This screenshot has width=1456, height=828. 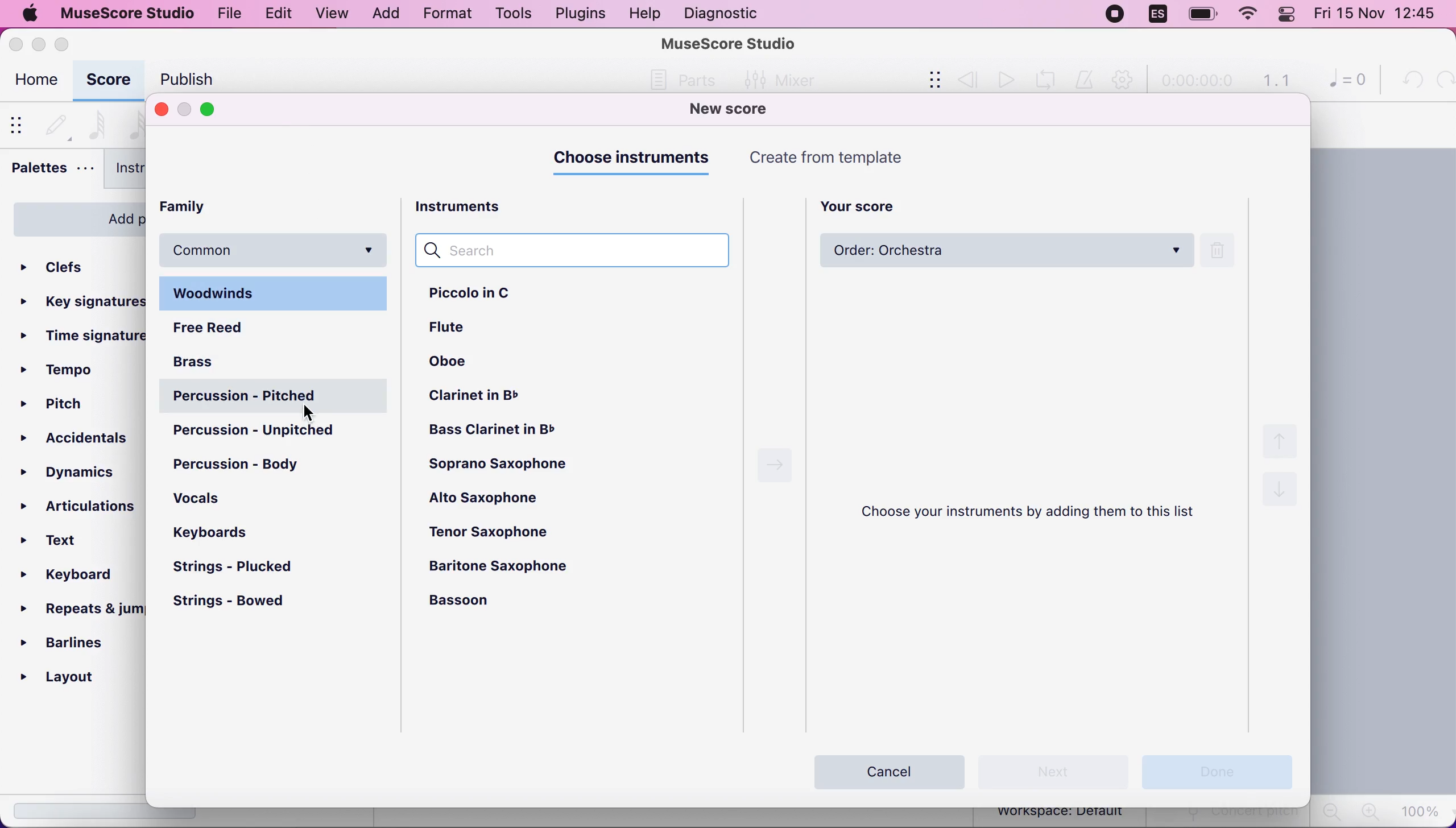 I want to click on help, so click(x=644, y=14).